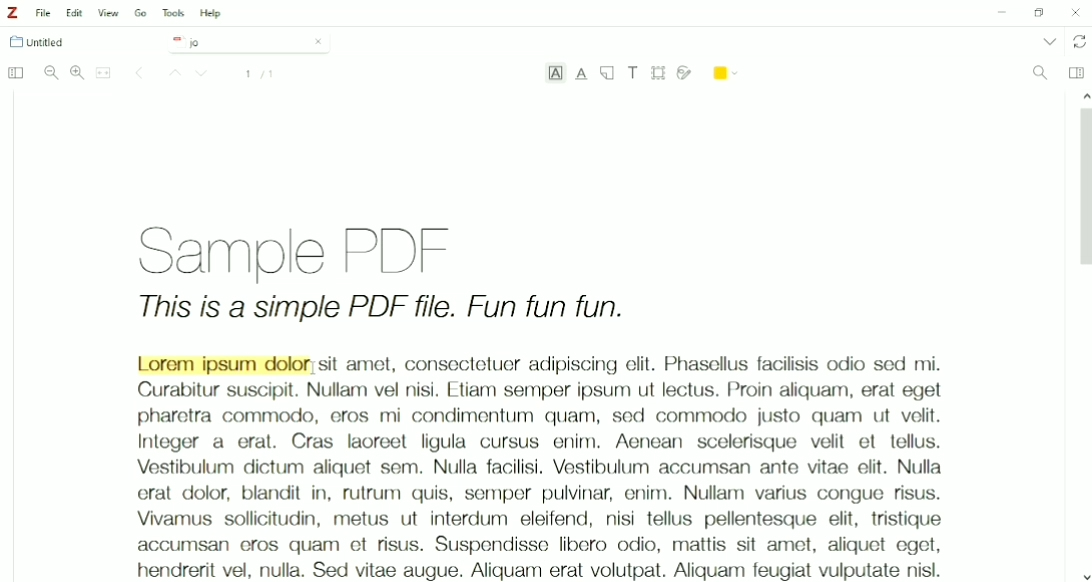 Image resolution: width=1092 pixels, height=582 pixels. What do you see at coordinates (1076, 72) in the screenshot?
I see `Toggle Context Pane` at bounding box center [1076, 72].